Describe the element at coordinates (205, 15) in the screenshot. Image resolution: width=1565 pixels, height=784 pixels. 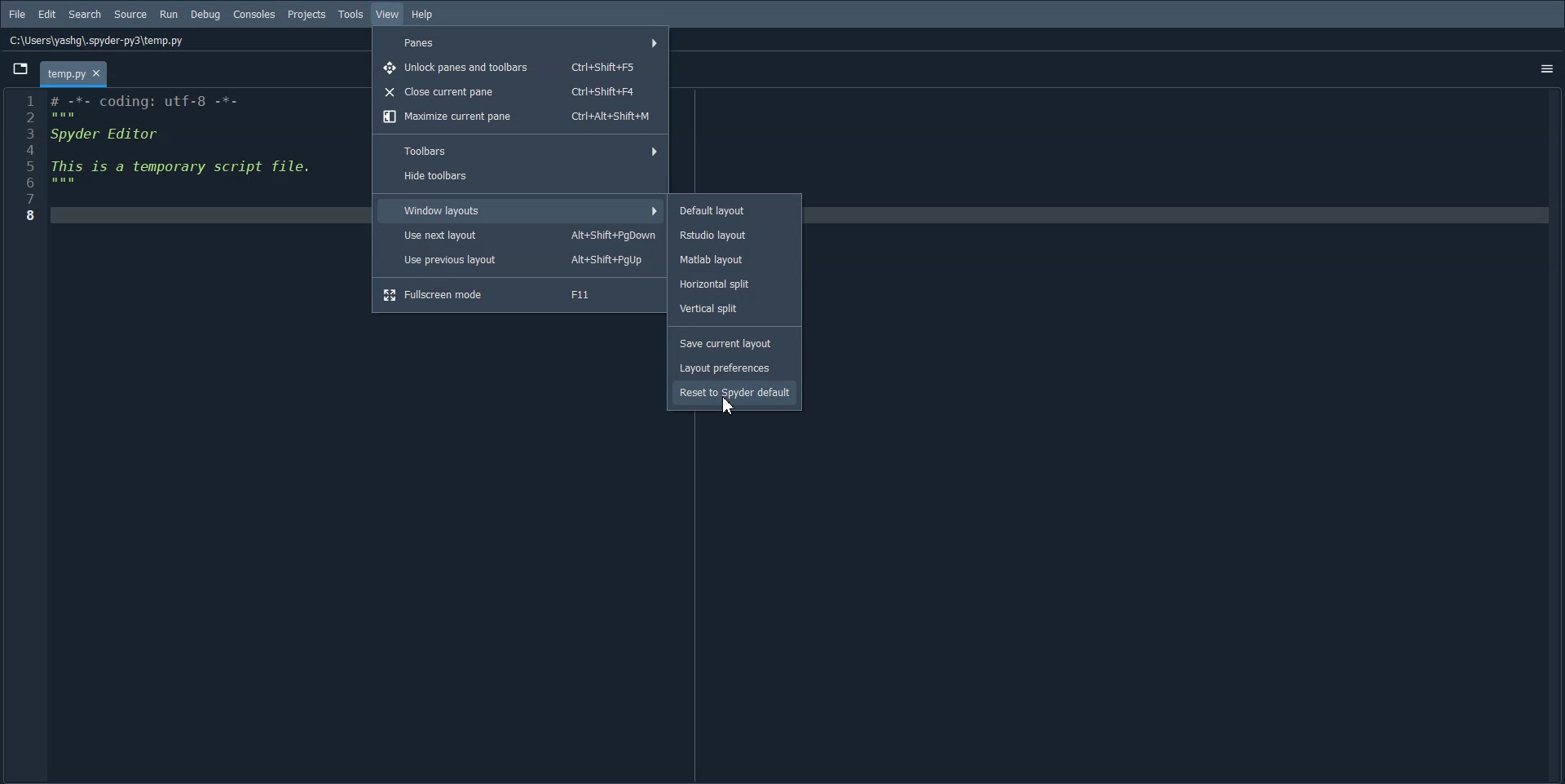
I see `Debug` at that location.